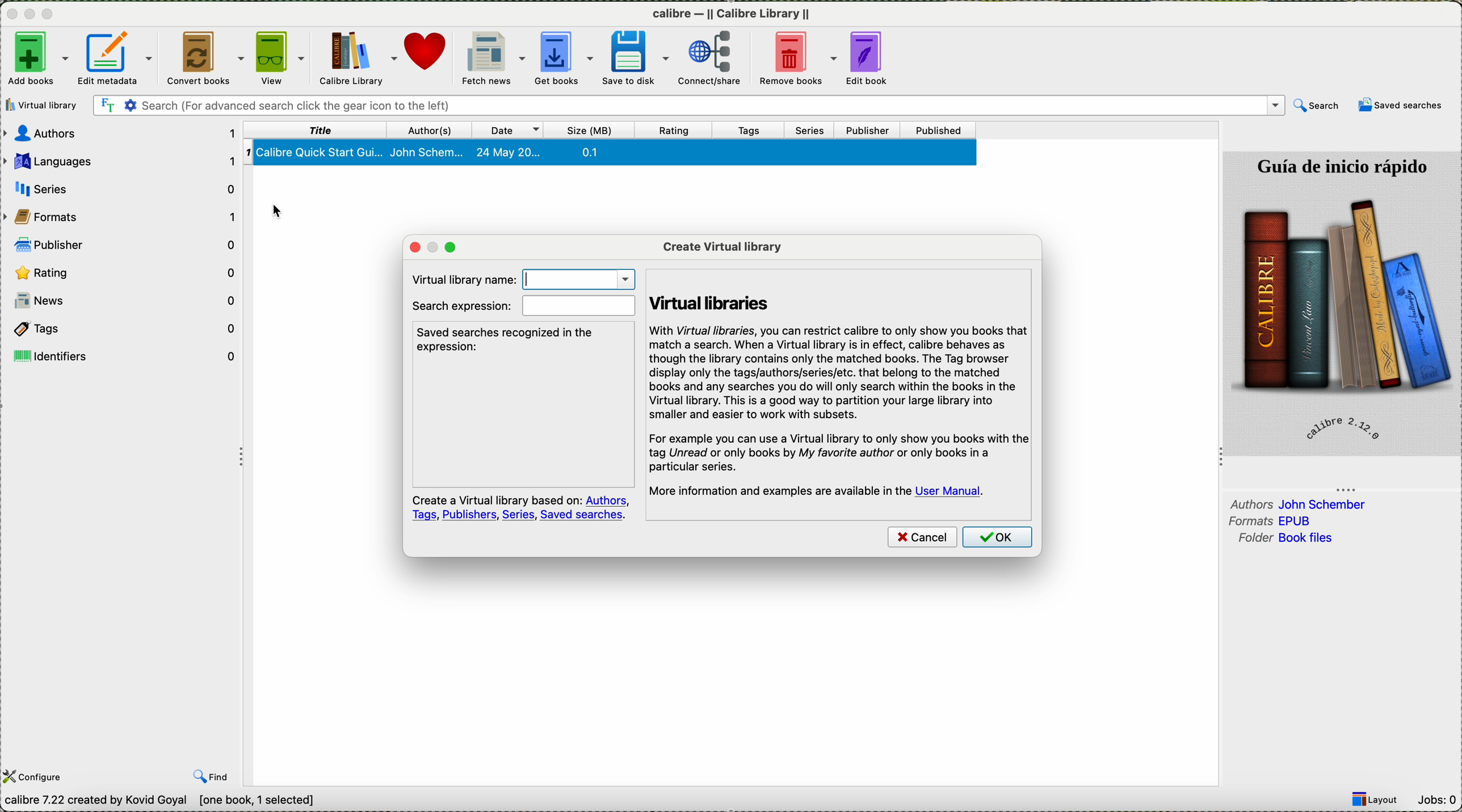 The image size is (1462, 812). Describe the element at coordinates (523, 306) in the screenshot. I see `search expression` at that location.